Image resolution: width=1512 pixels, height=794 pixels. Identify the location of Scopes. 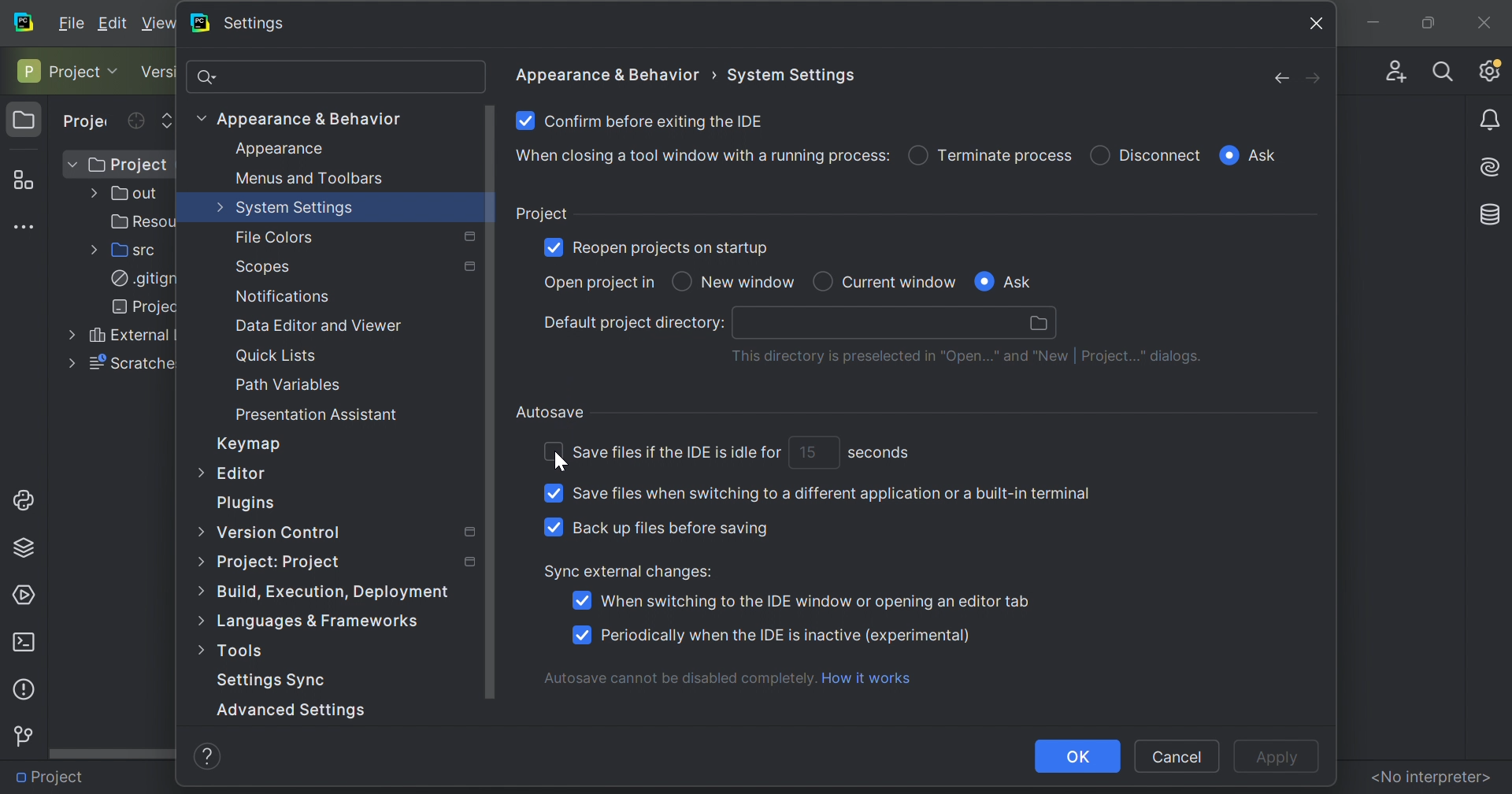
(265, 267).